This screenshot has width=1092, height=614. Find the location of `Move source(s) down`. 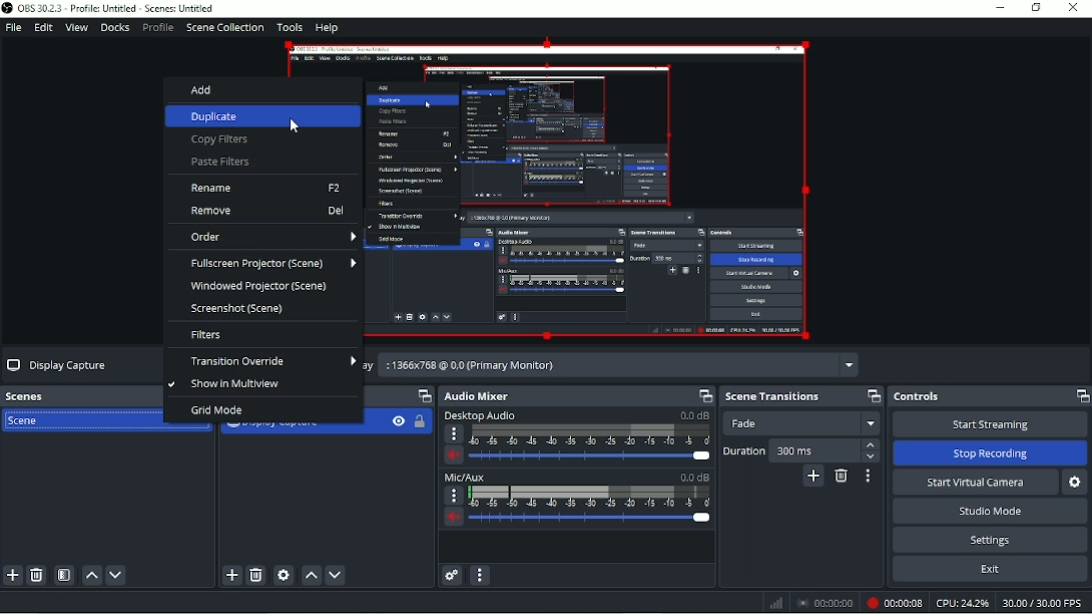

Move source(s) down is located at coordinates (335, 575).